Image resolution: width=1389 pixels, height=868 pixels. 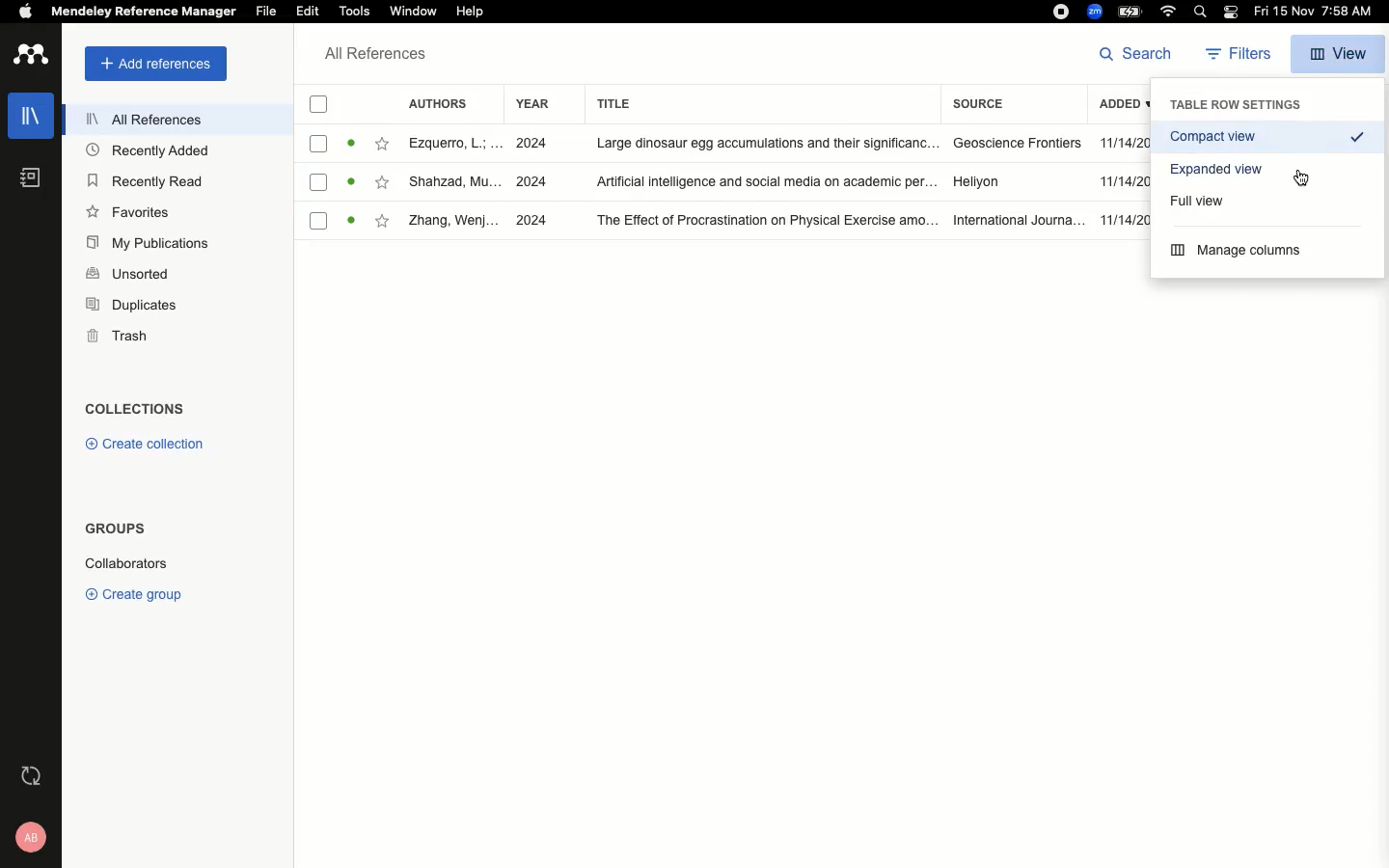 I want to click on Shahzad, so click(x=450, y=183).